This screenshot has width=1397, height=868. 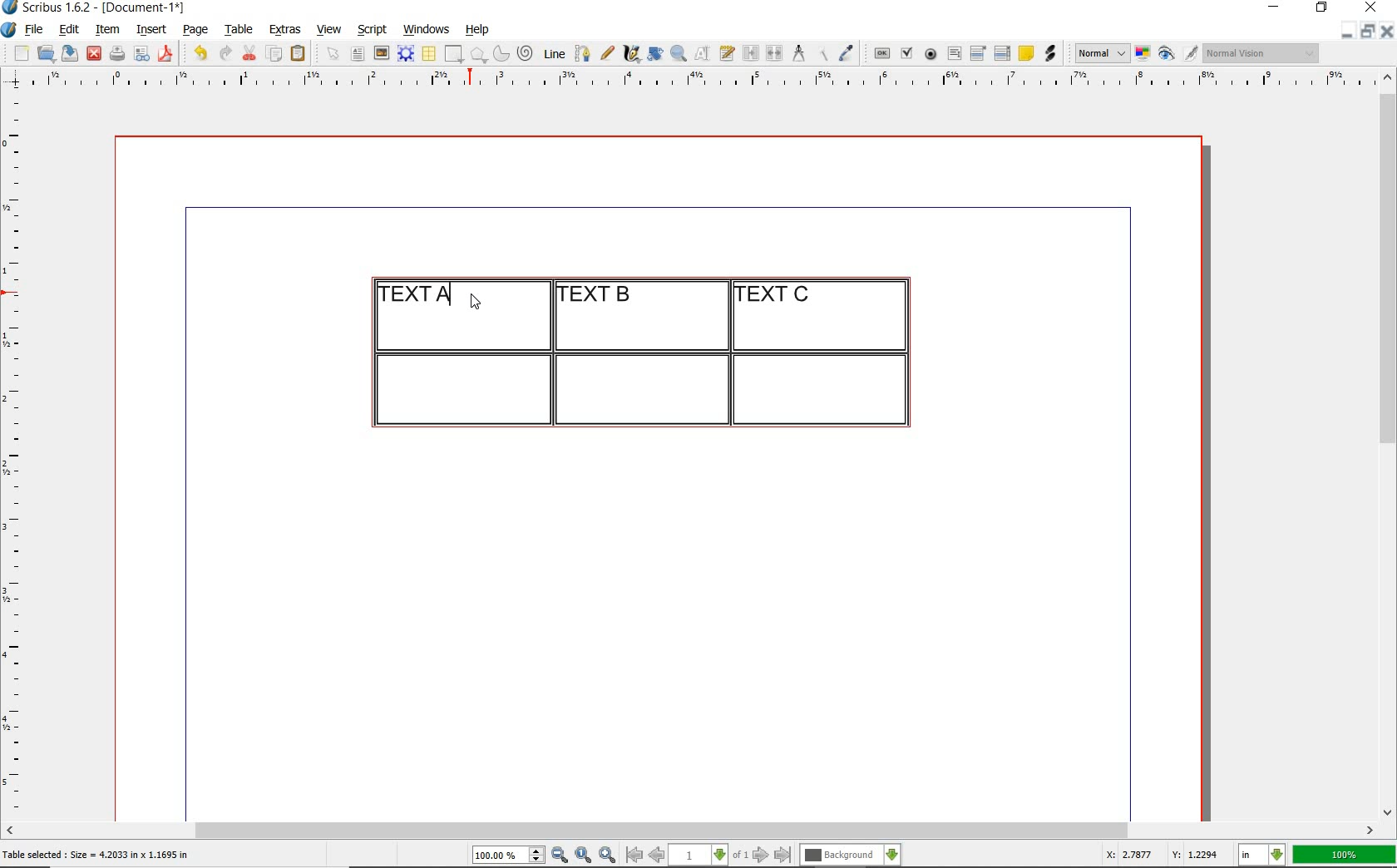 What do you see at coordinates (690, 832) in the screenshot?
I see `scrollbar` at bounding box center [690, 832].